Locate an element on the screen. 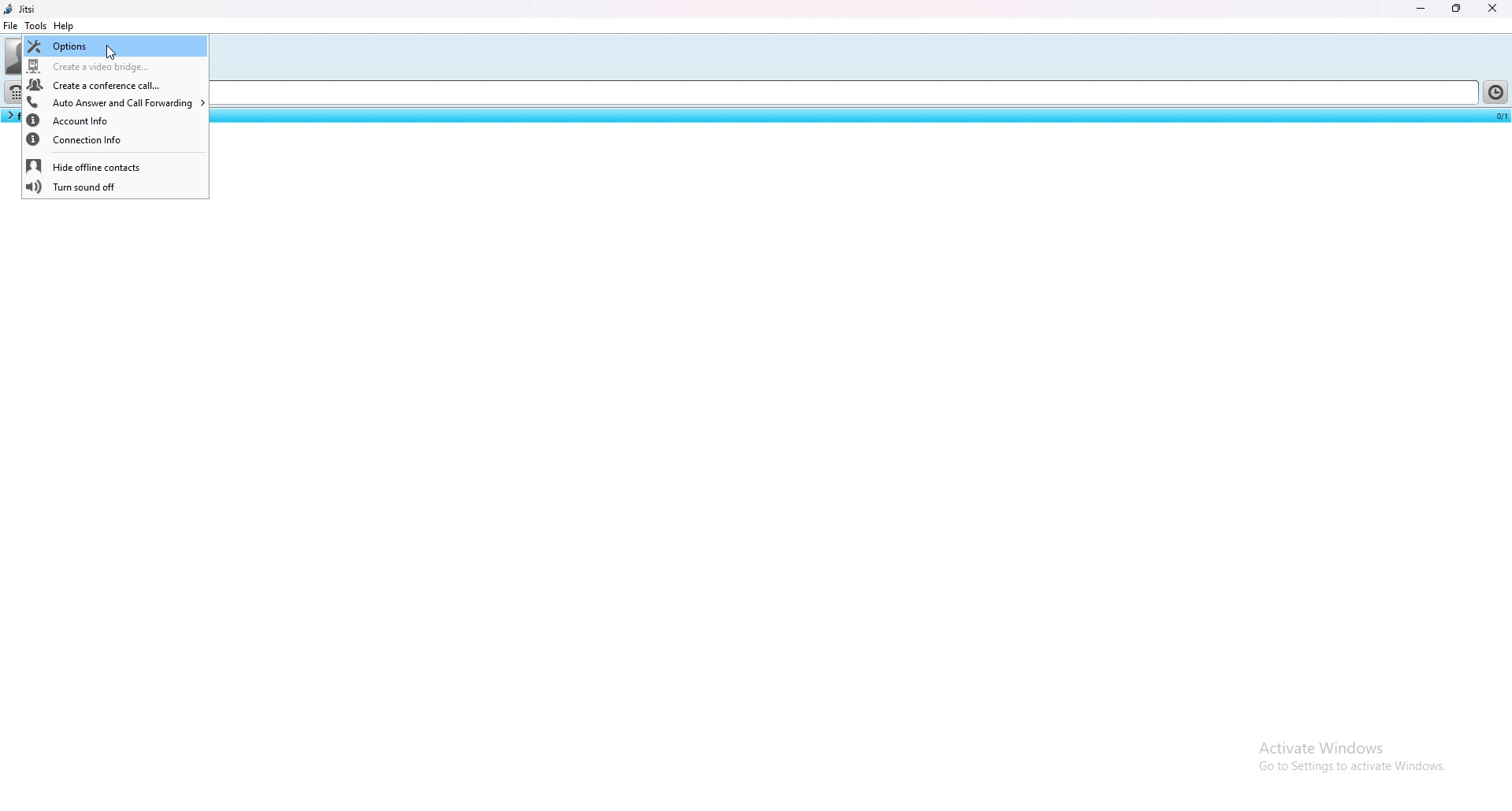 The width and height of the screenshot is (1512, 811). resize is located at coordinates (1458, 9).